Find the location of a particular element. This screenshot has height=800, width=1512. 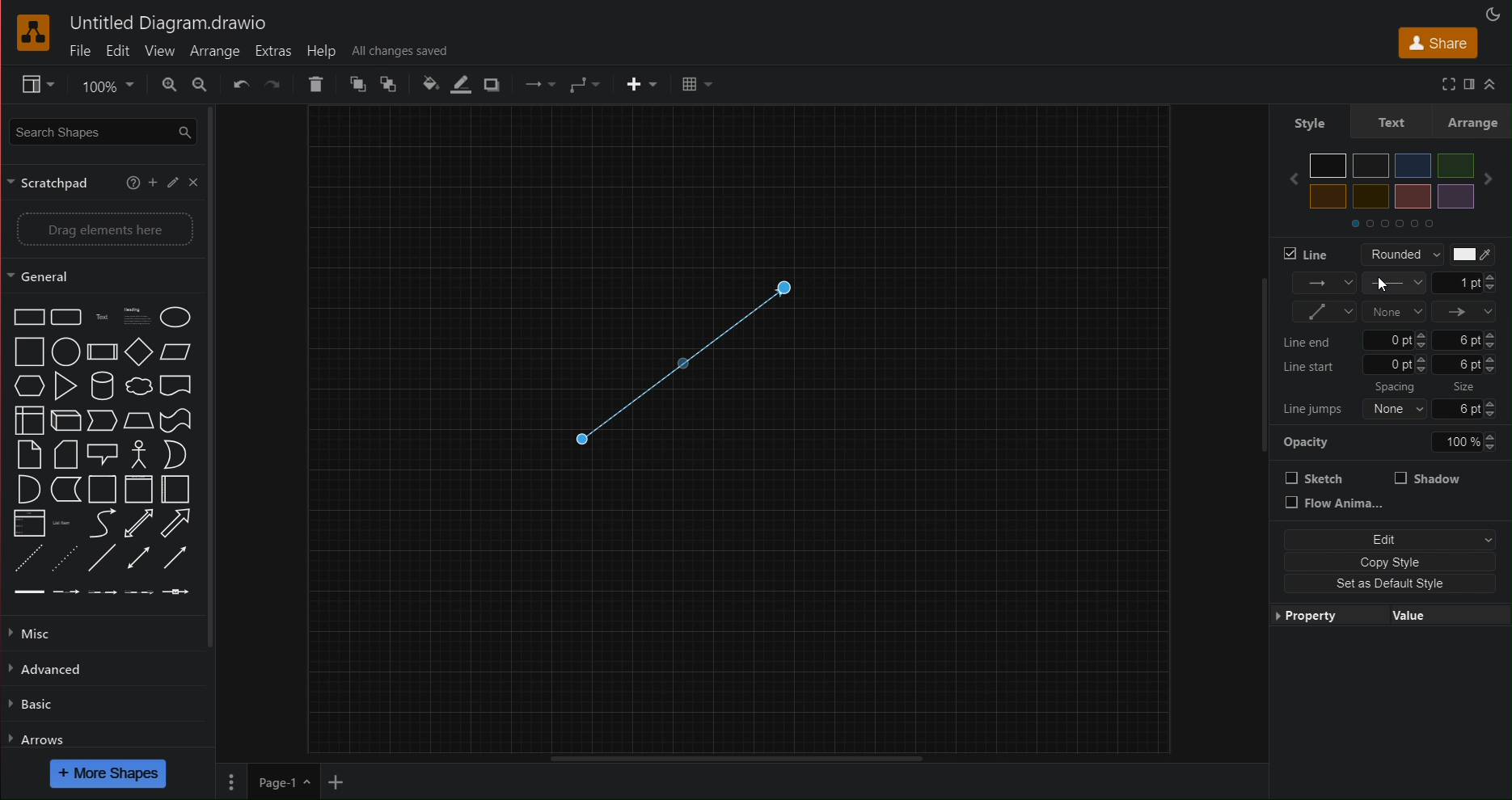

General is located at coordinates (50, 276).